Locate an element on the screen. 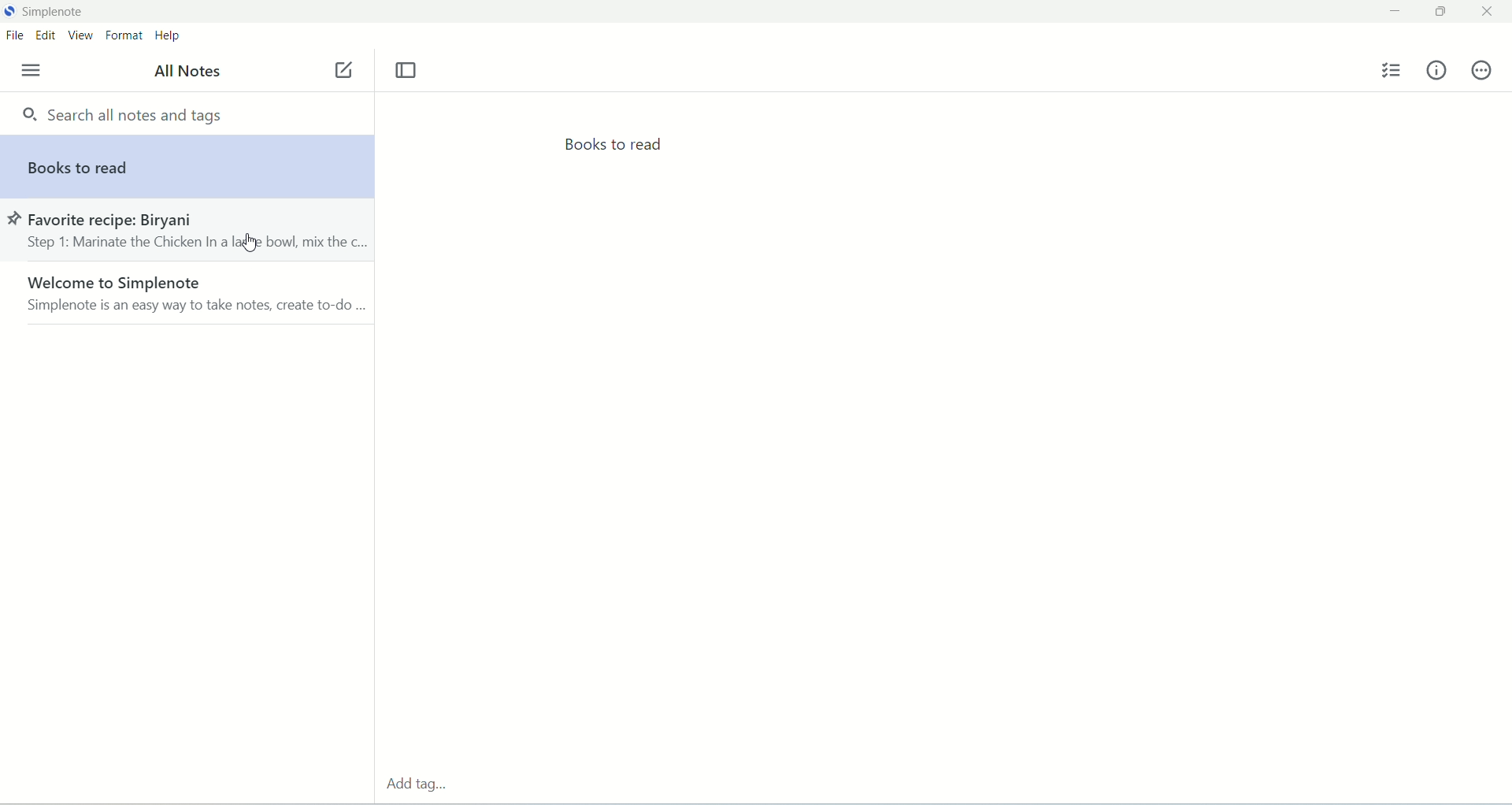 The height and width of the screenshot is (805, 1512). help is located at coordinates (169, 37).